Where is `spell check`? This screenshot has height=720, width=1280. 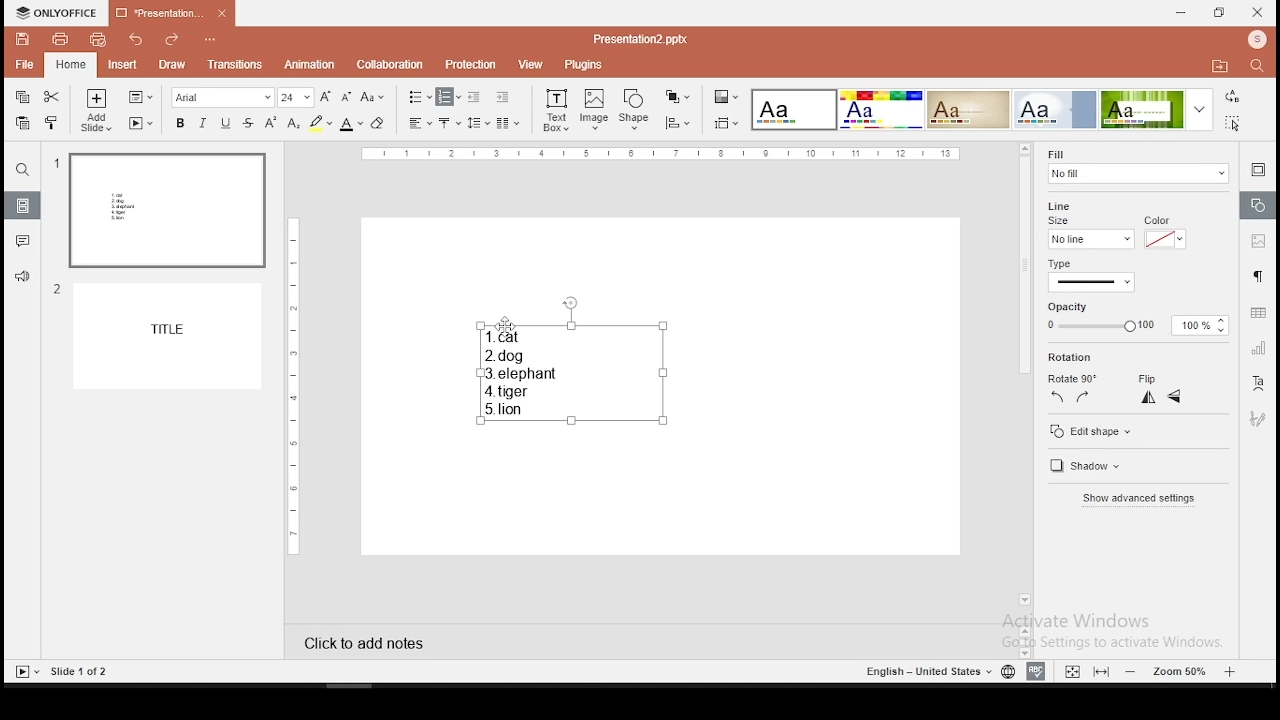 spell check is located at coordinates (1039, 672).